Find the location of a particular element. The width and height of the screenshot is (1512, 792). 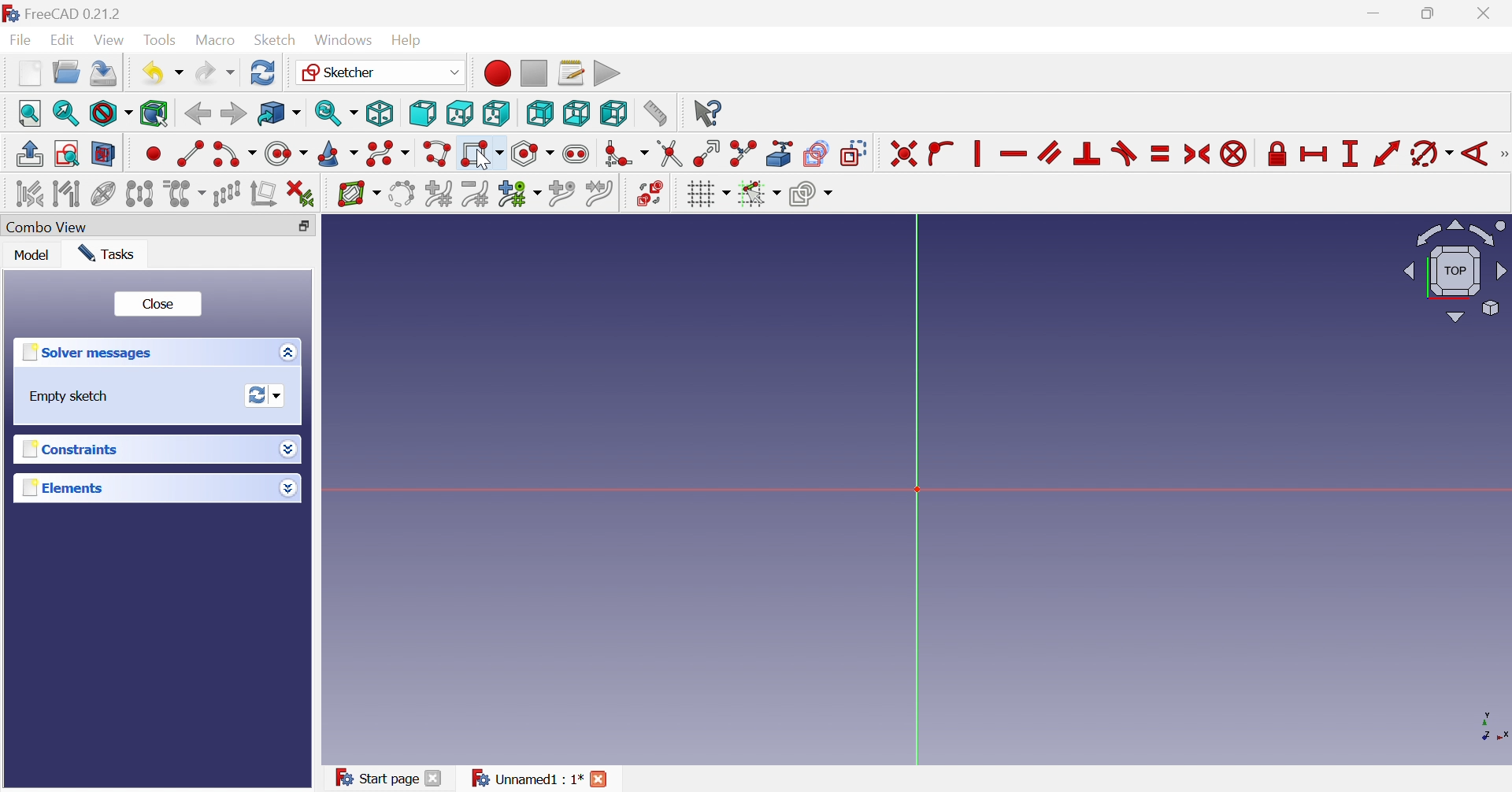

Constrain perpendicular is located at coordinates (1088, 153).